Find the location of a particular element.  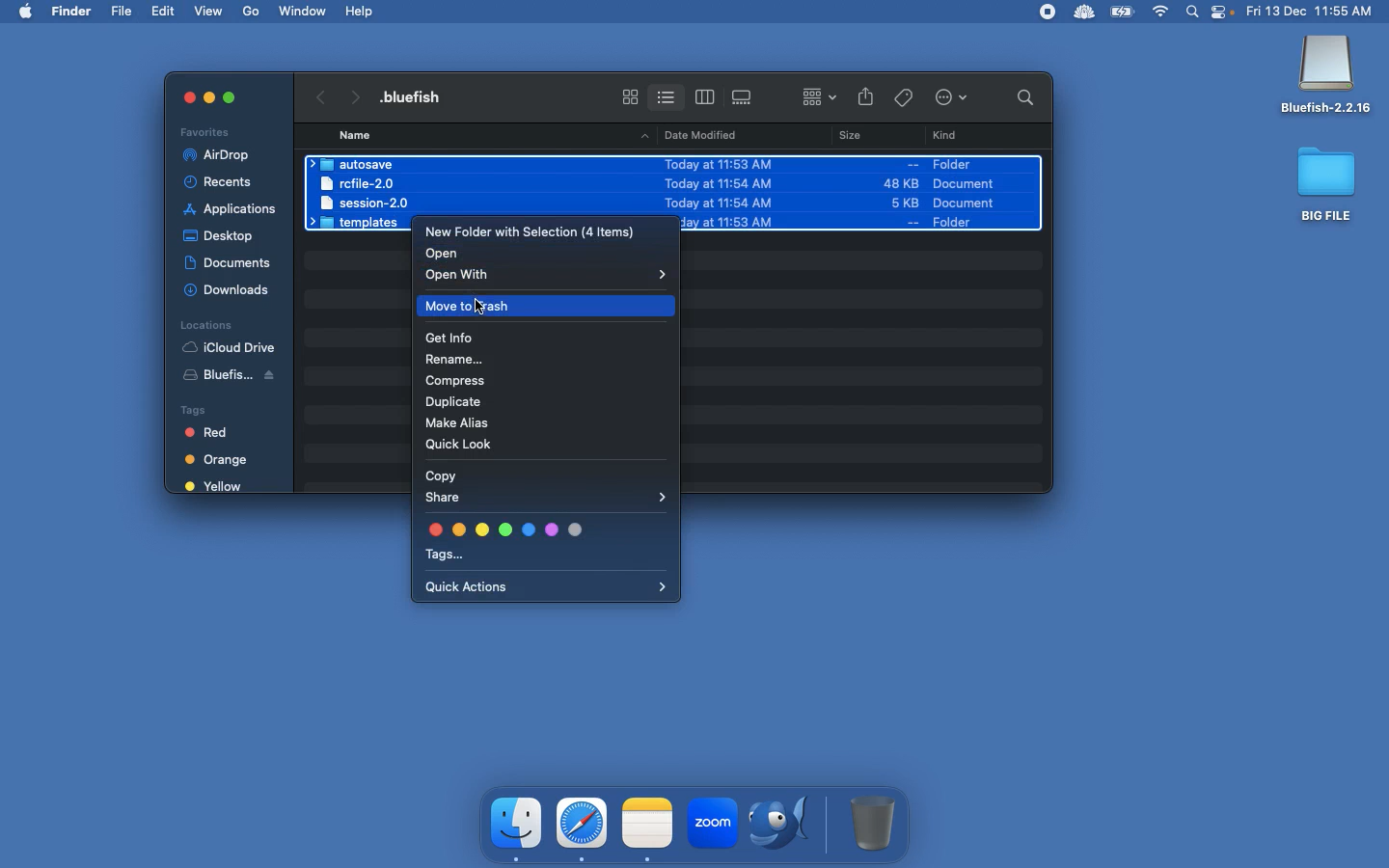

search is located at coordinates (1021, 96).